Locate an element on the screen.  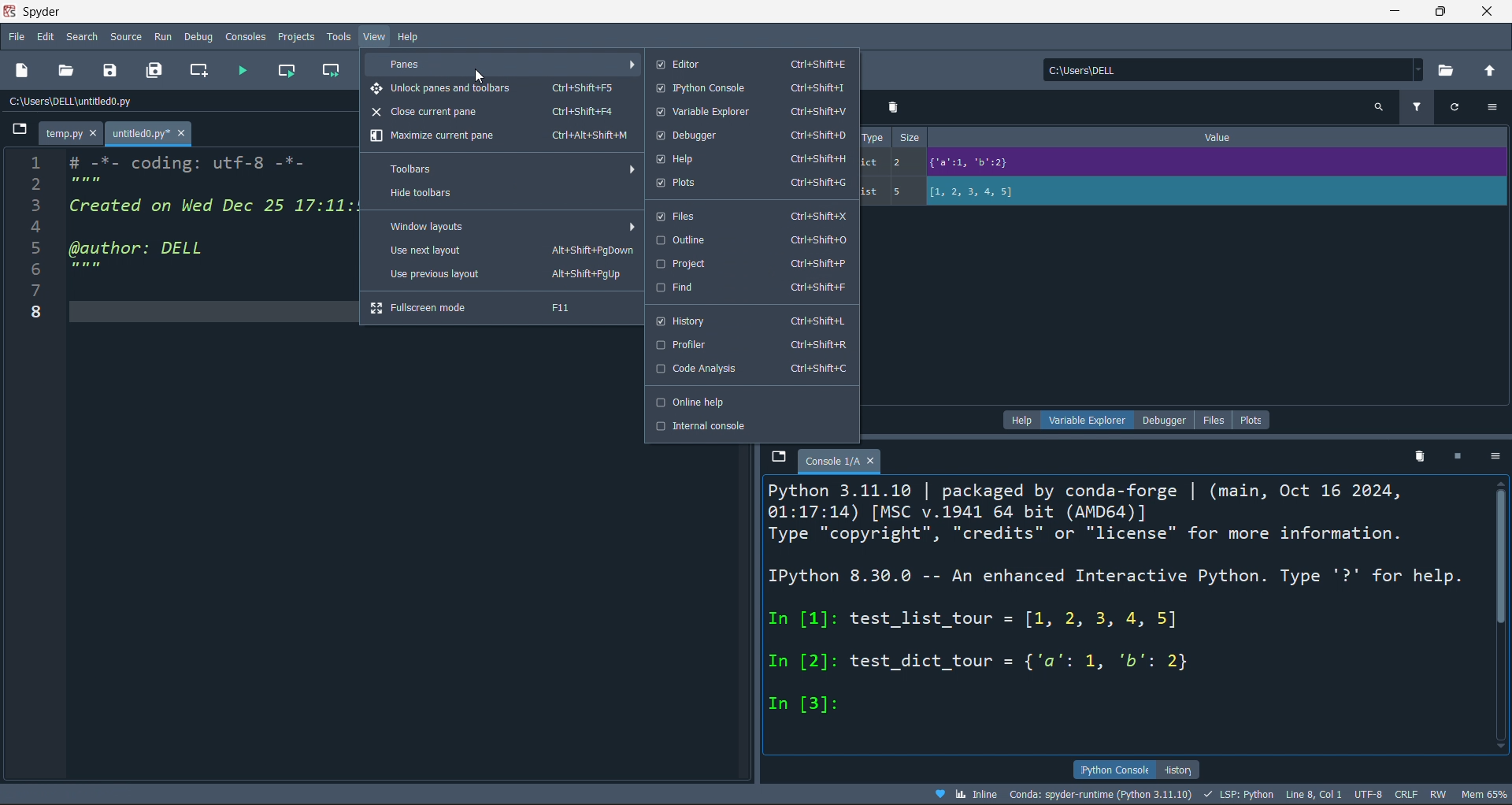
2 is located at coordinates (903, 161).